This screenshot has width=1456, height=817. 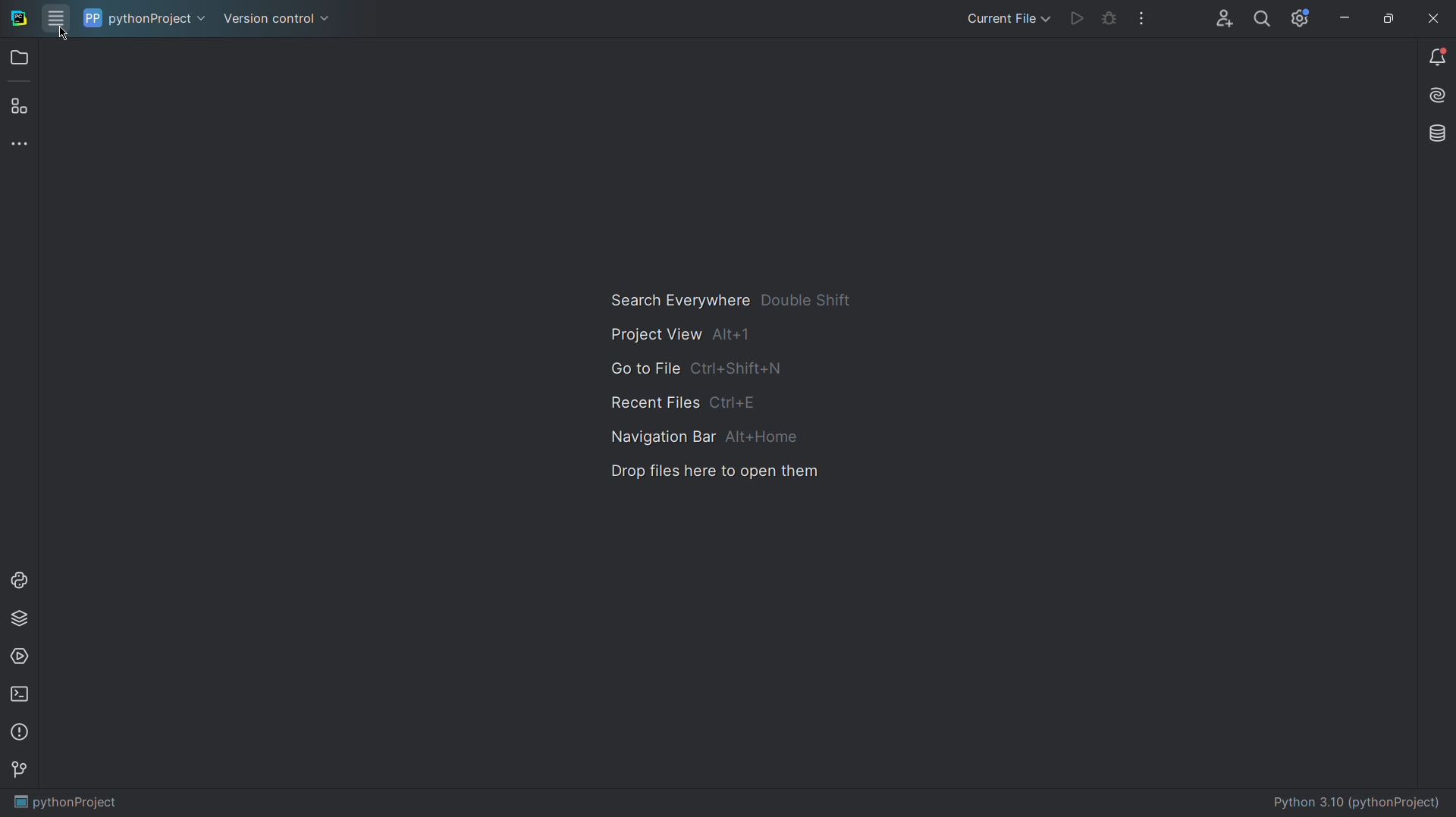 What do you see at coordinates (14, 18) in the screenshot?
I see `PyCharm logo` at bounding box center [14, 18].